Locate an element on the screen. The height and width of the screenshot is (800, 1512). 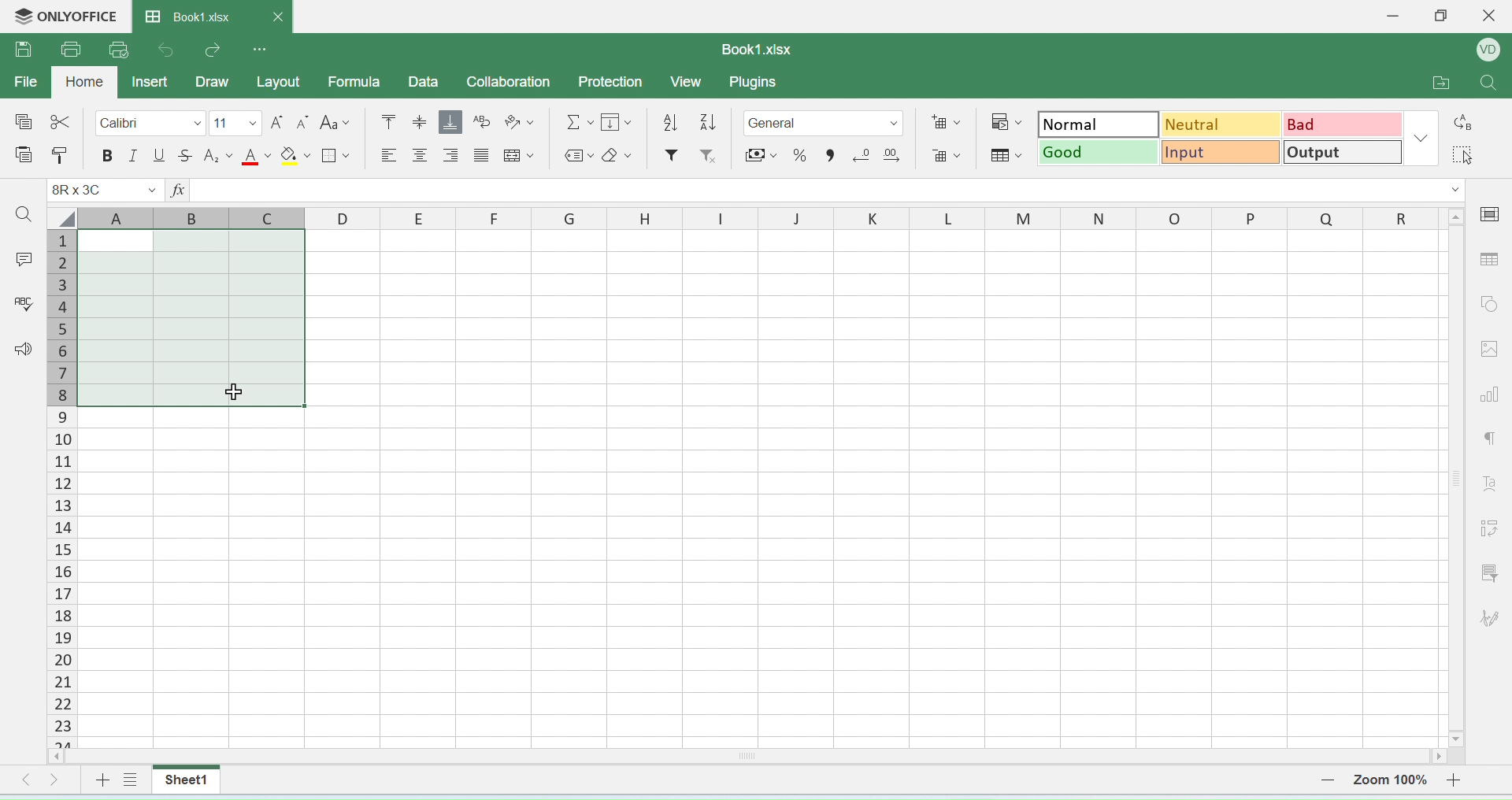
image is located at coordinates (1492, 352).